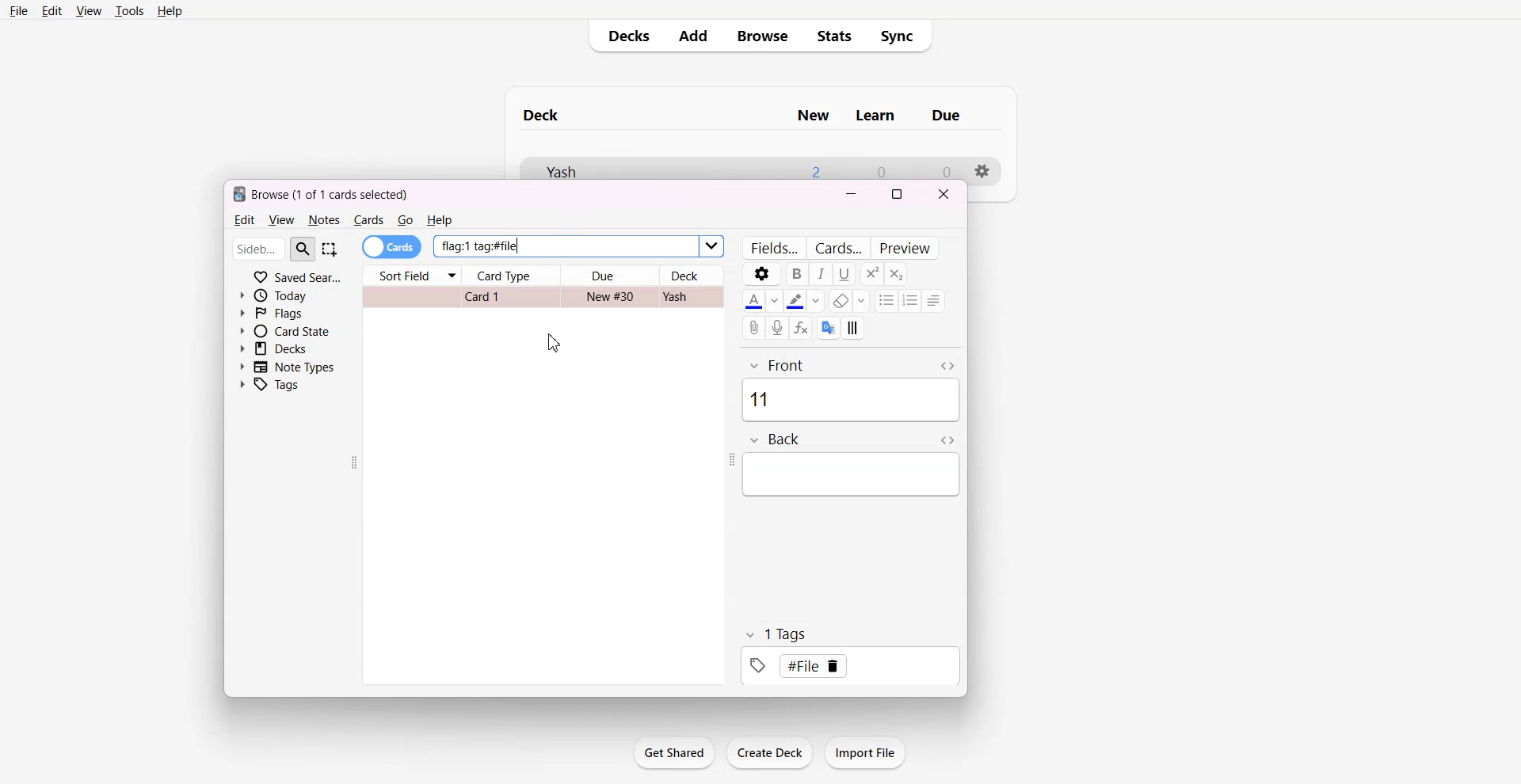 The height and width of the screenshot is (784, 1521). What do you see at coordinates (673, 752) in the screenshot?
I see `Get Shared` at bounding box center [673, 752].